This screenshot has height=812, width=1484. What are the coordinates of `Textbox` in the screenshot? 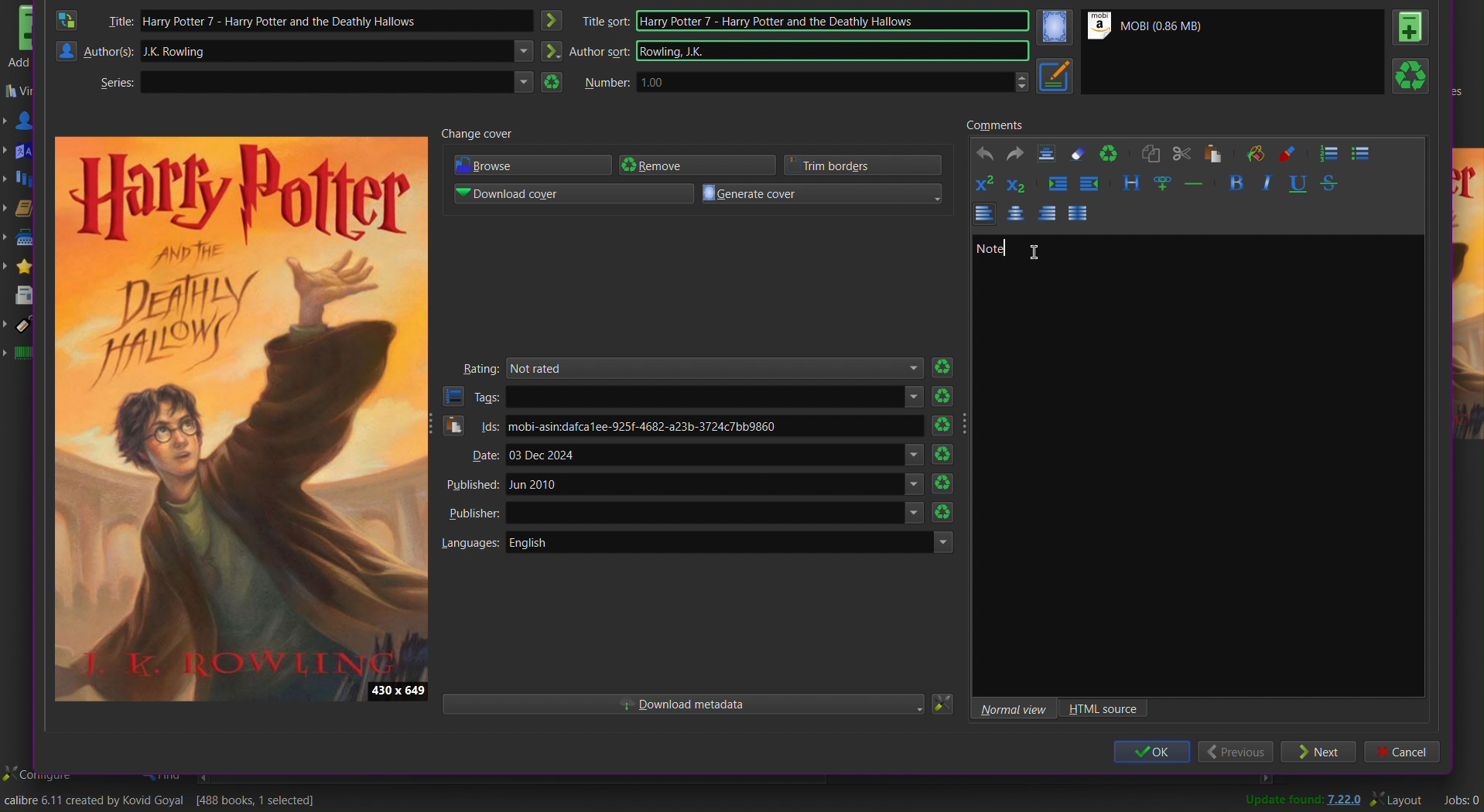 It's located at (1198, 467).